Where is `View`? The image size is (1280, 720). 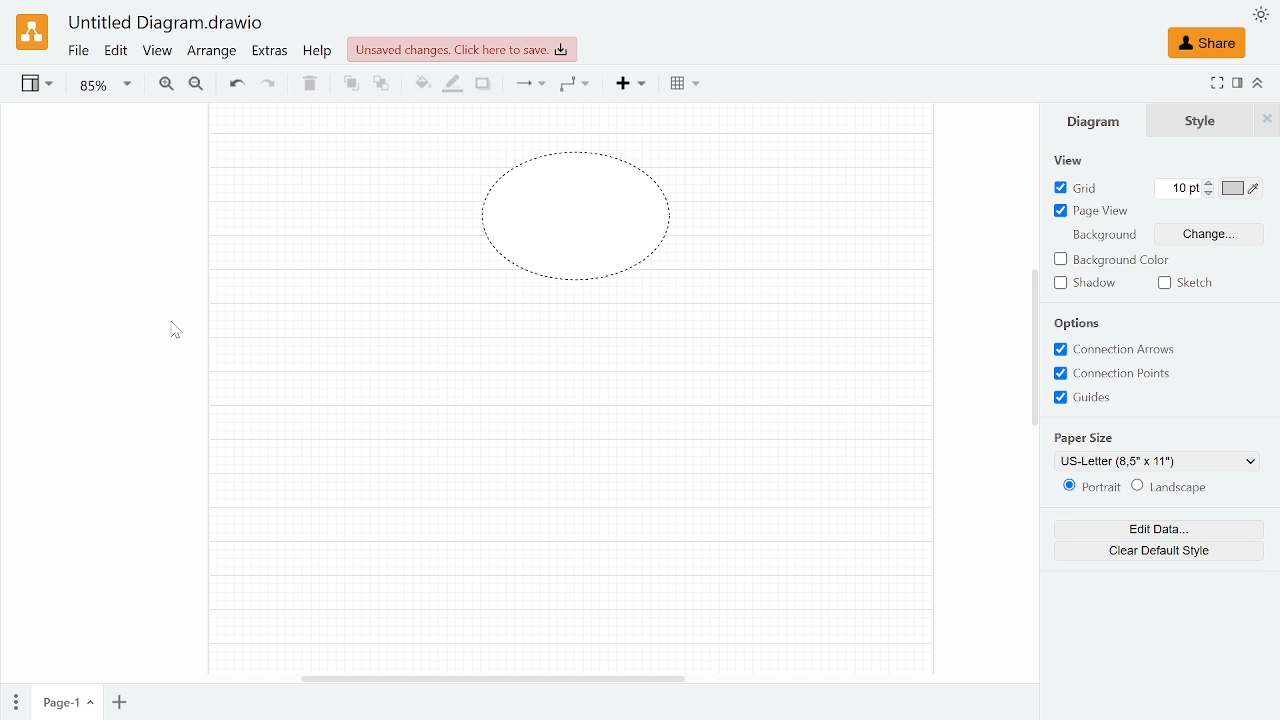
View is located at coordinates (157, 52).